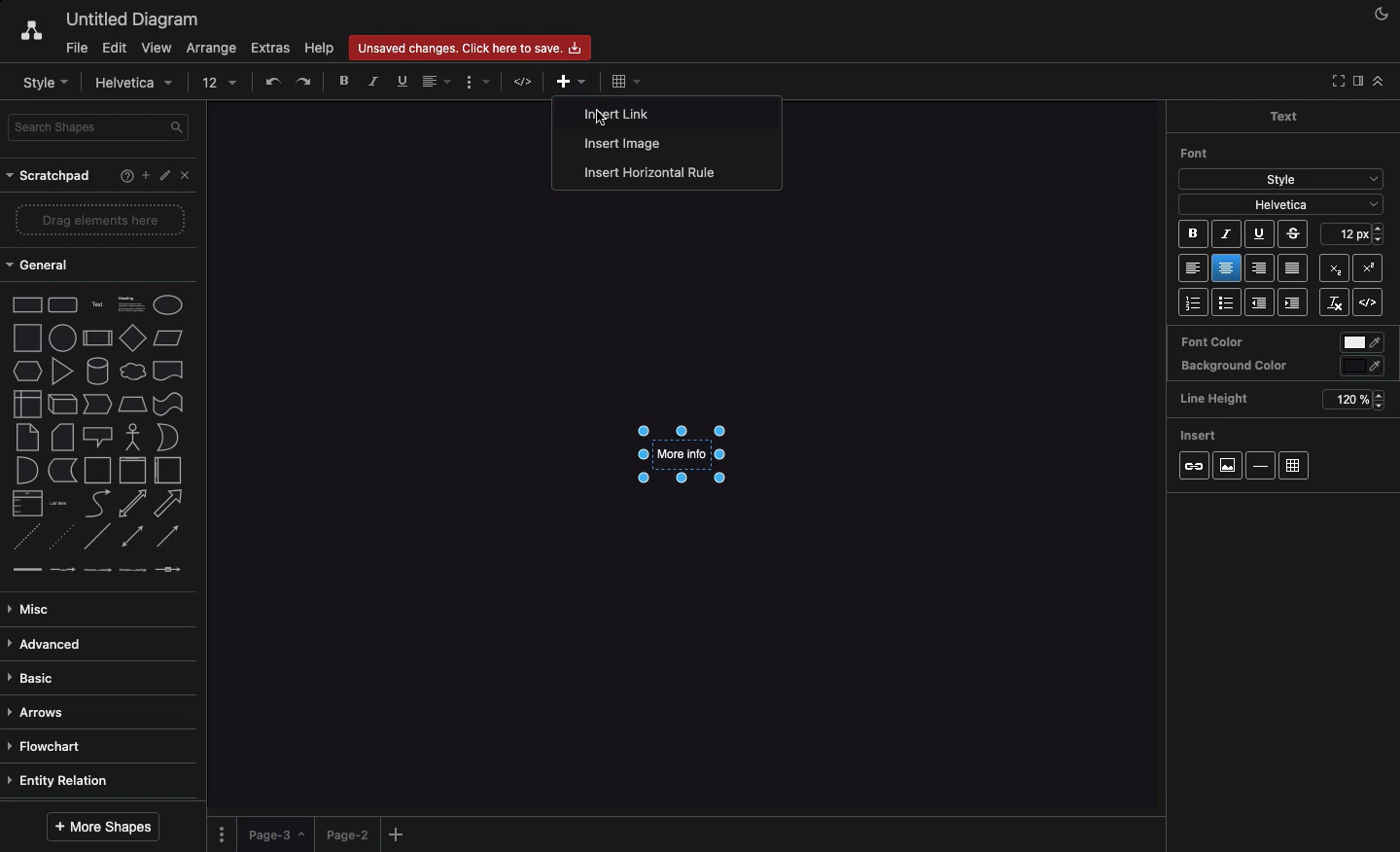 The width and height of the screenshot is (1400, 852). Describe the element at coordinates (1282, 115) in the screenshot. I see `Text` at that location.